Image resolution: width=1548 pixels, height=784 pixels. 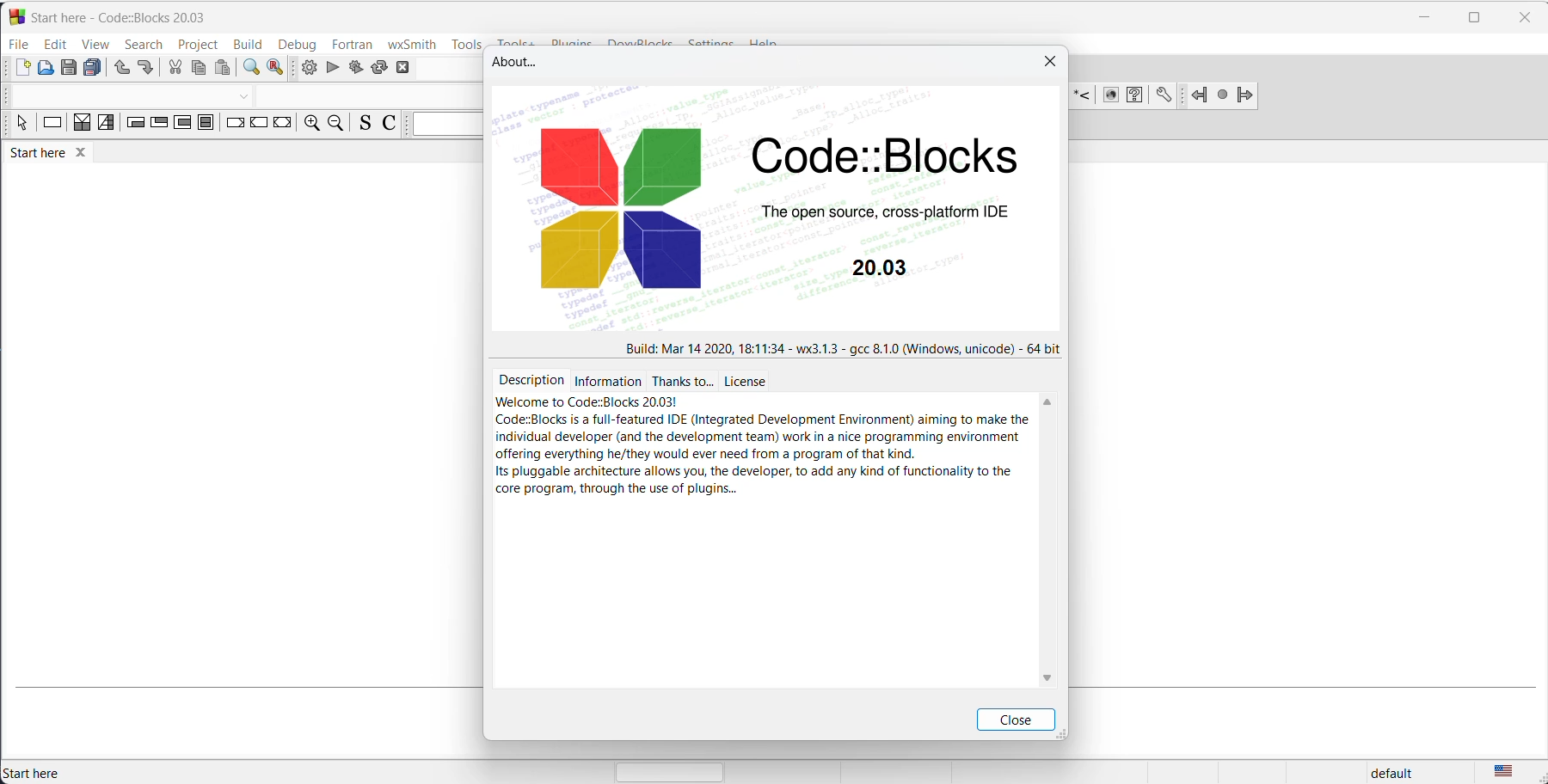 I want to click on toggle comments, so click(x=390, y=124).